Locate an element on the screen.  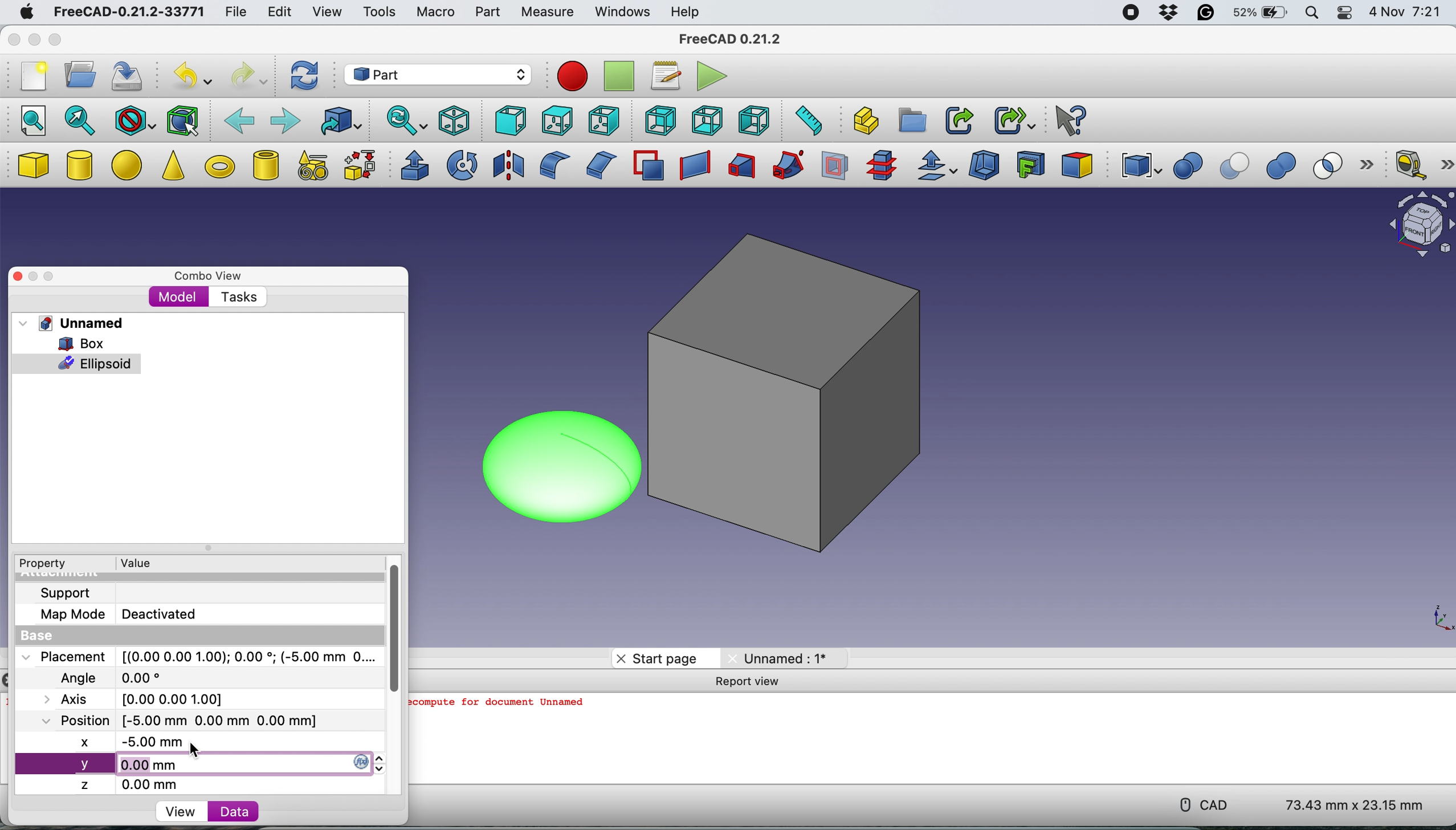
mac logo is located at coordinates (24, 13).